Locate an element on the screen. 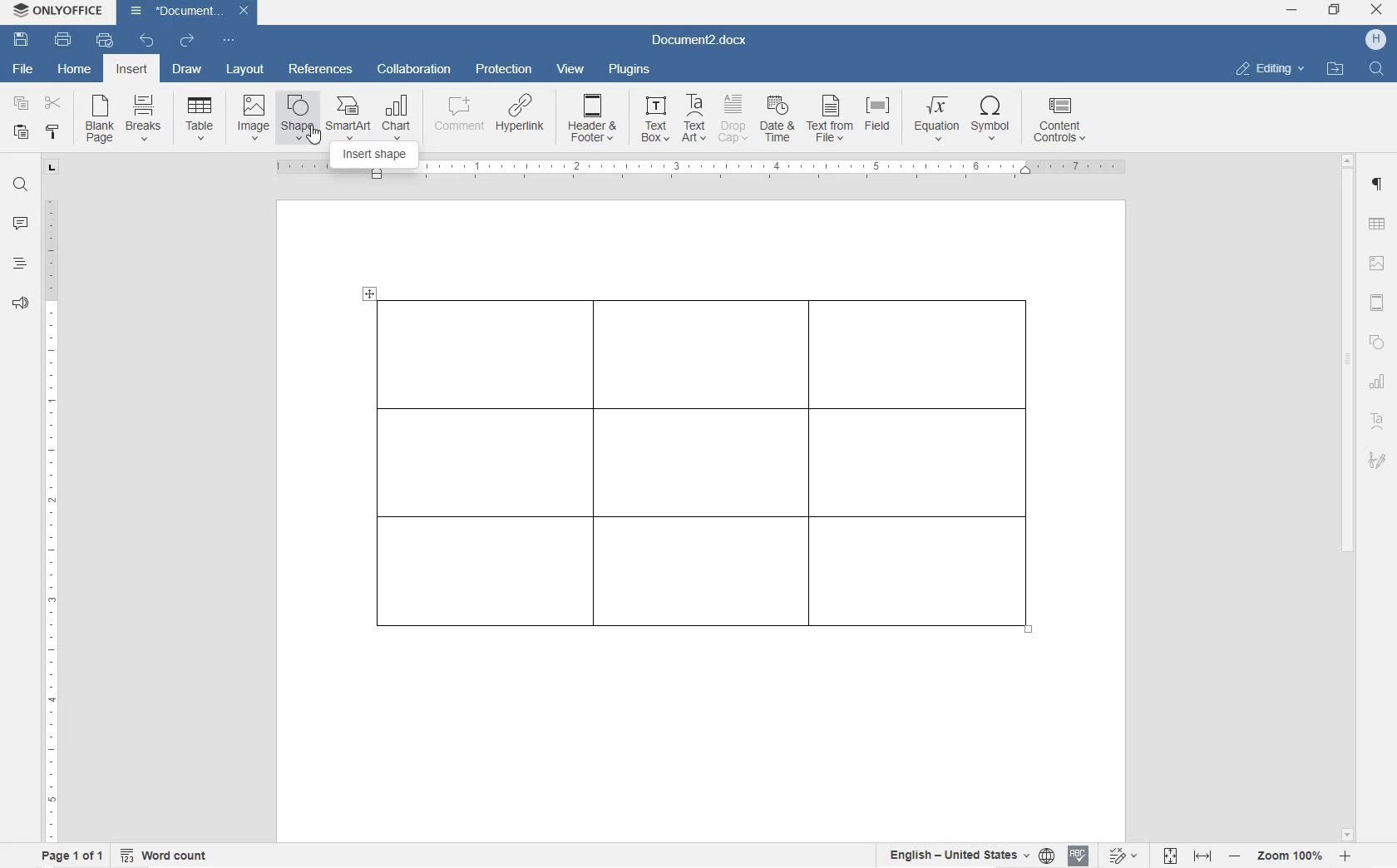  insert table is located at coordinates (196, 118).